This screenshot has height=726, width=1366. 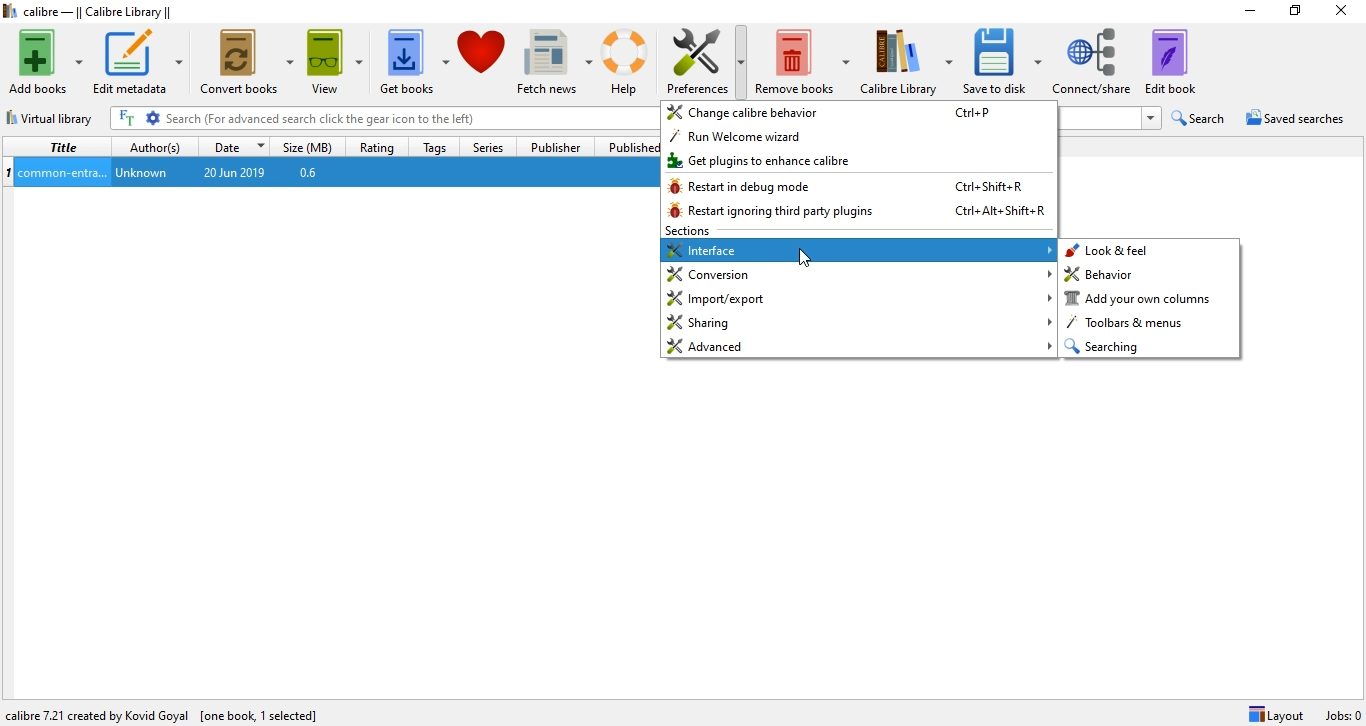 I want to click on Minimise, so click(x=1245, y=12).